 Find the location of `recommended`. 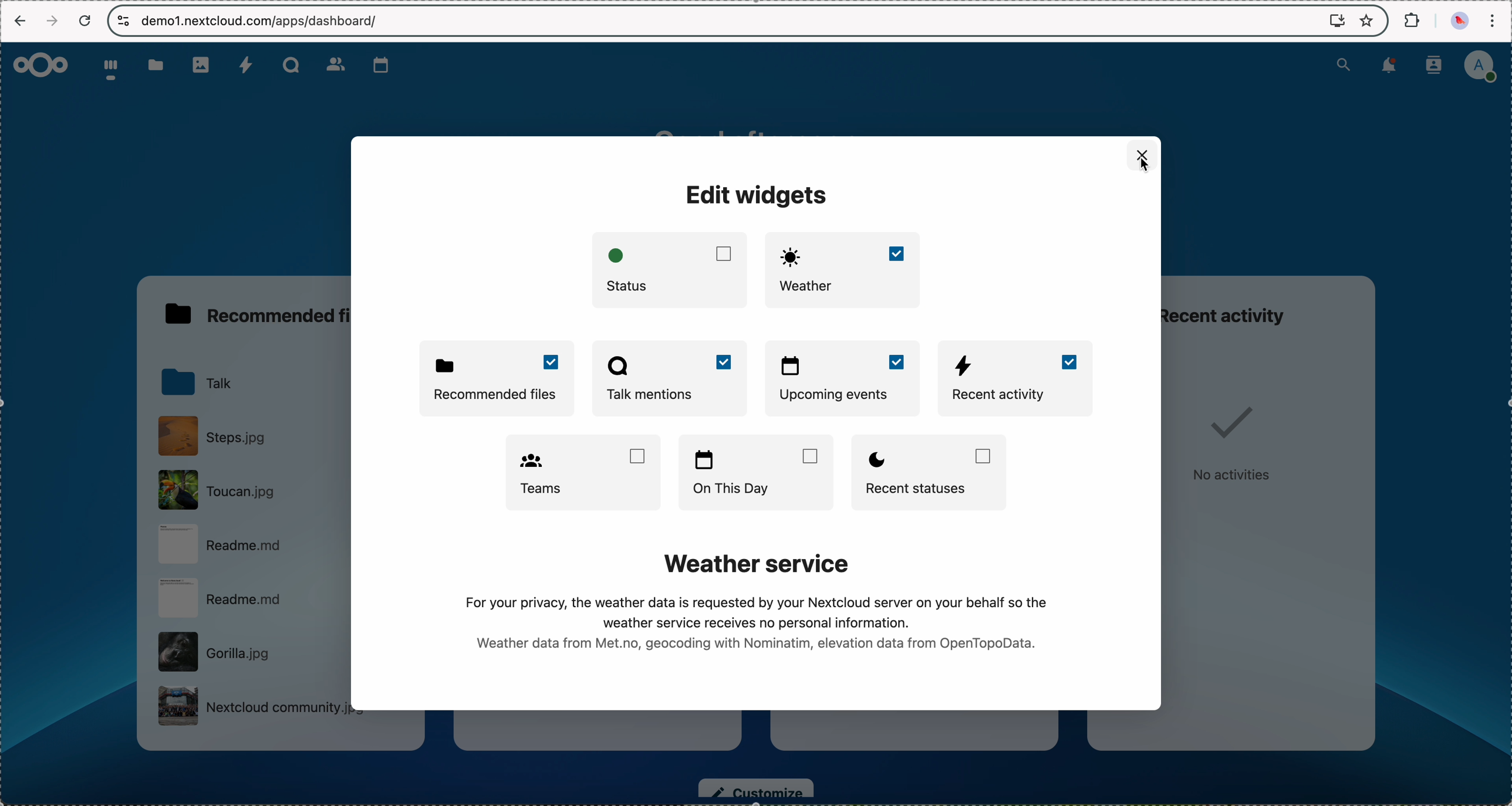

recommended is located at coordinates (257, 312).